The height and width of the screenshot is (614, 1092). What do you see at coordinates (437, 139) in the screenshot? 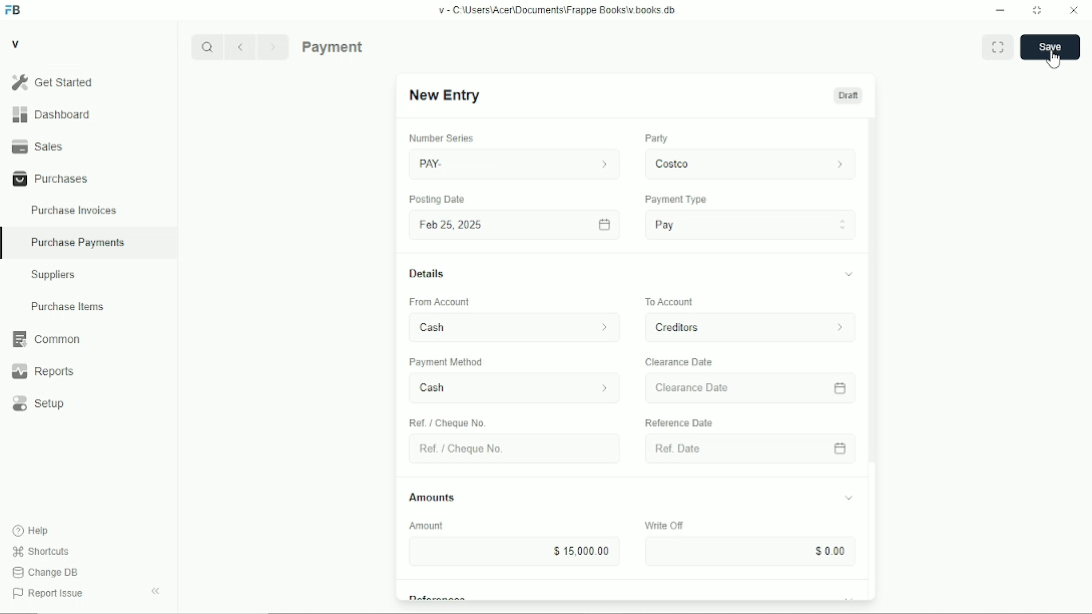
I see `number series` at bounding box center [437, 139].